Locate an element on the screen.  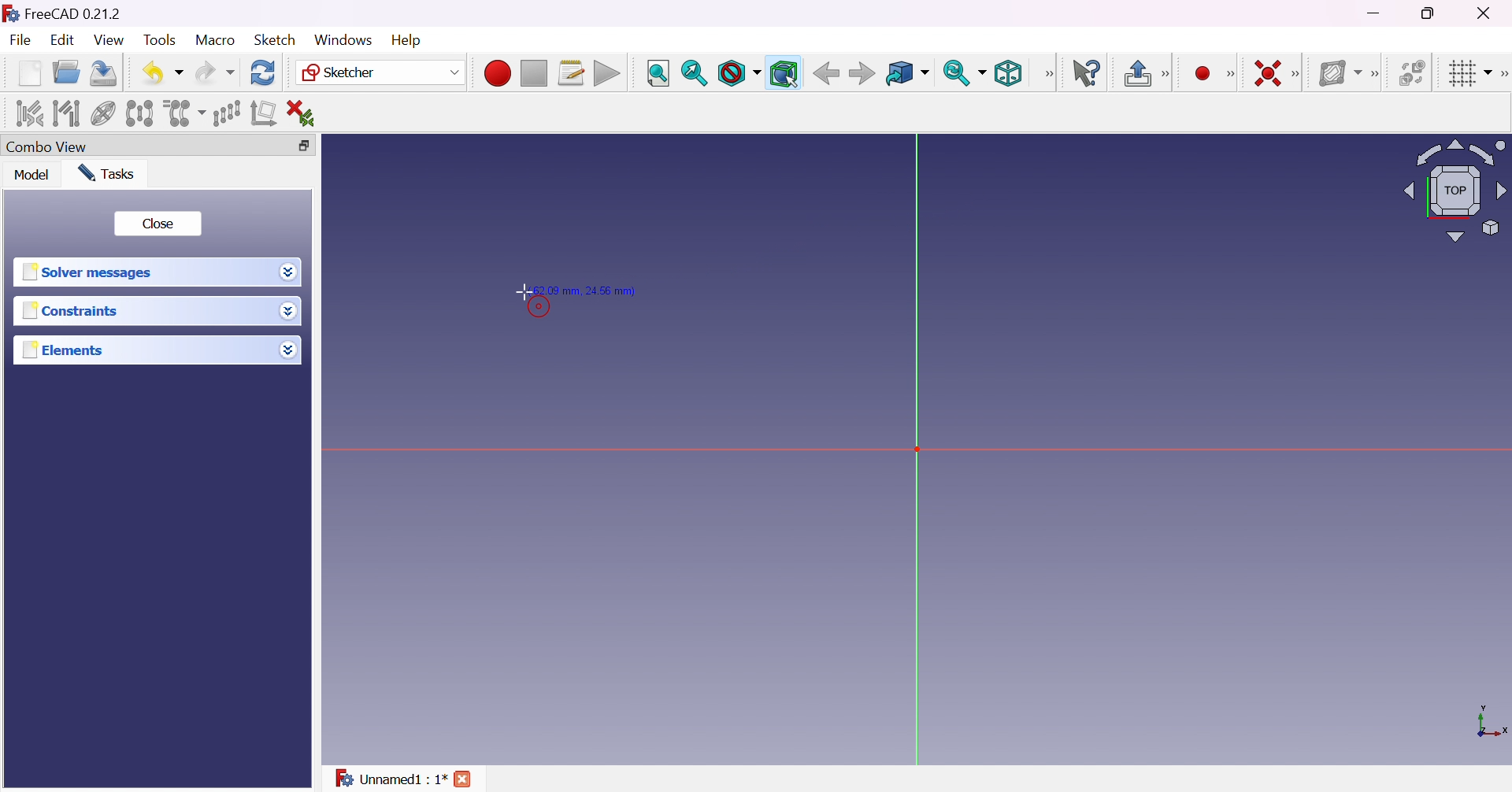
Combo view is located at coordinates (46, 148).